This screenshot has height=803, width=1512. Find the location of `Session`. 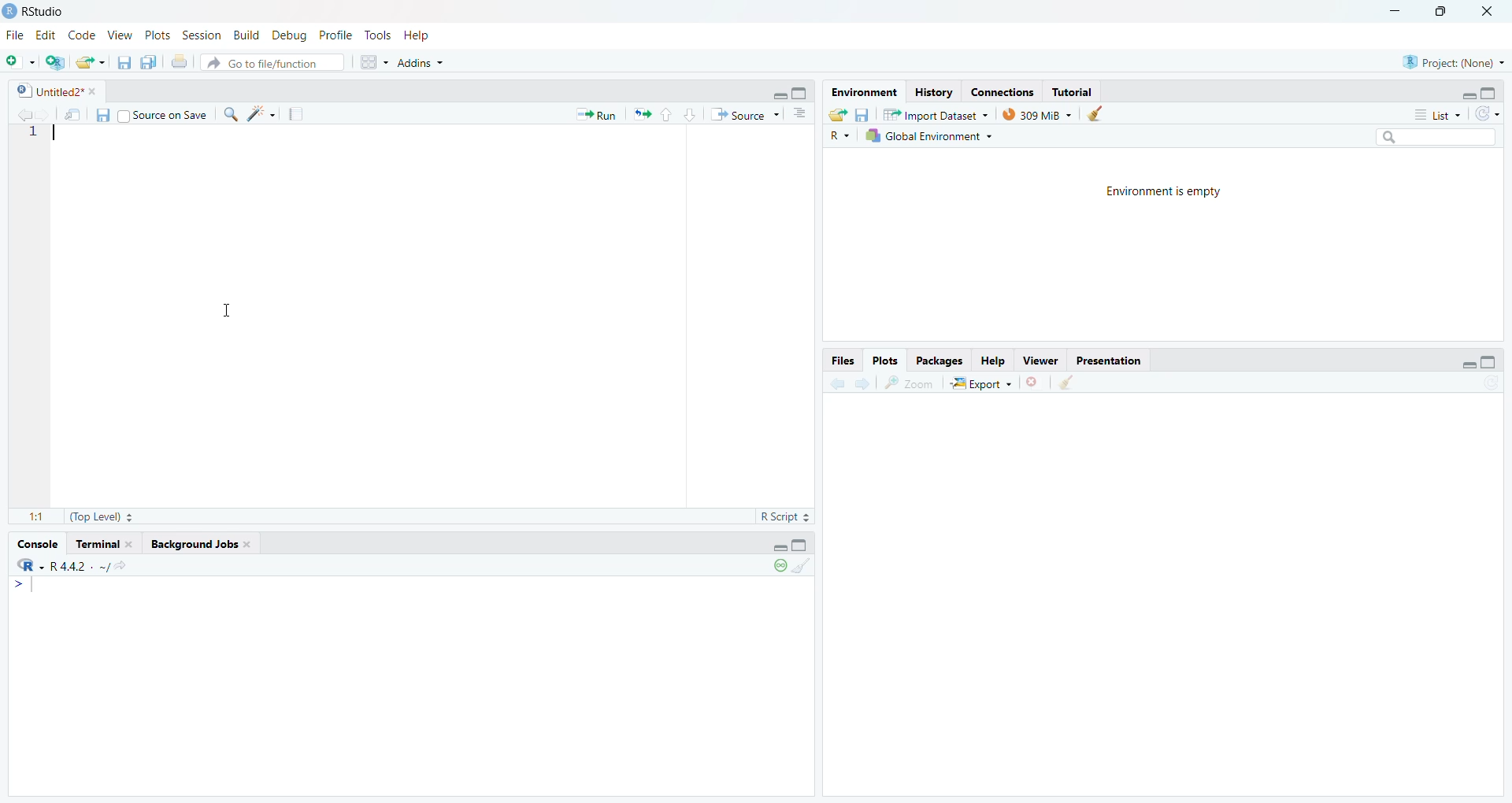

Session is located at coordinates (200, 35).